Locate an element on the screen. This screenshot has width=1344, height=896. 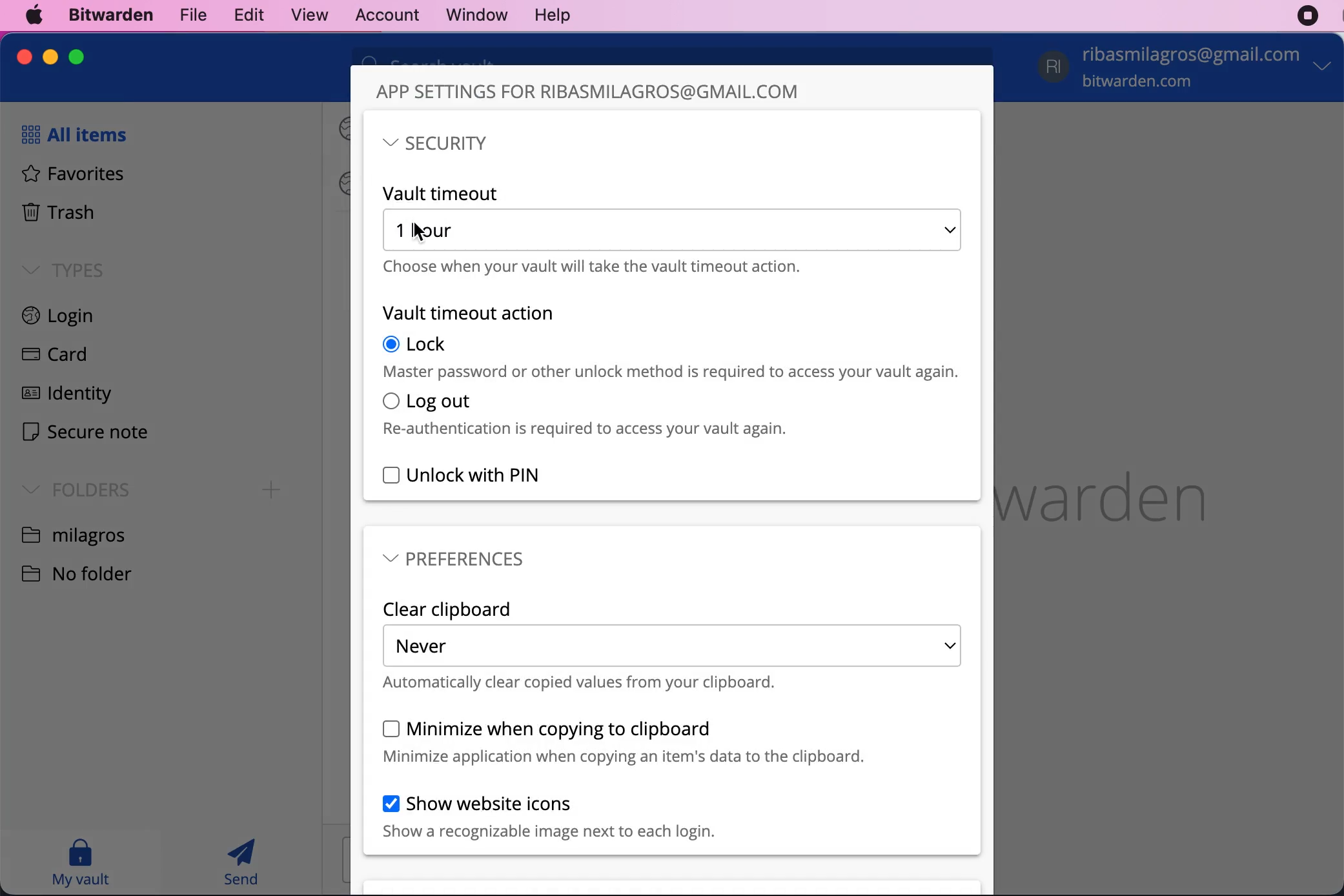
file is located at coordinates (190, 14).